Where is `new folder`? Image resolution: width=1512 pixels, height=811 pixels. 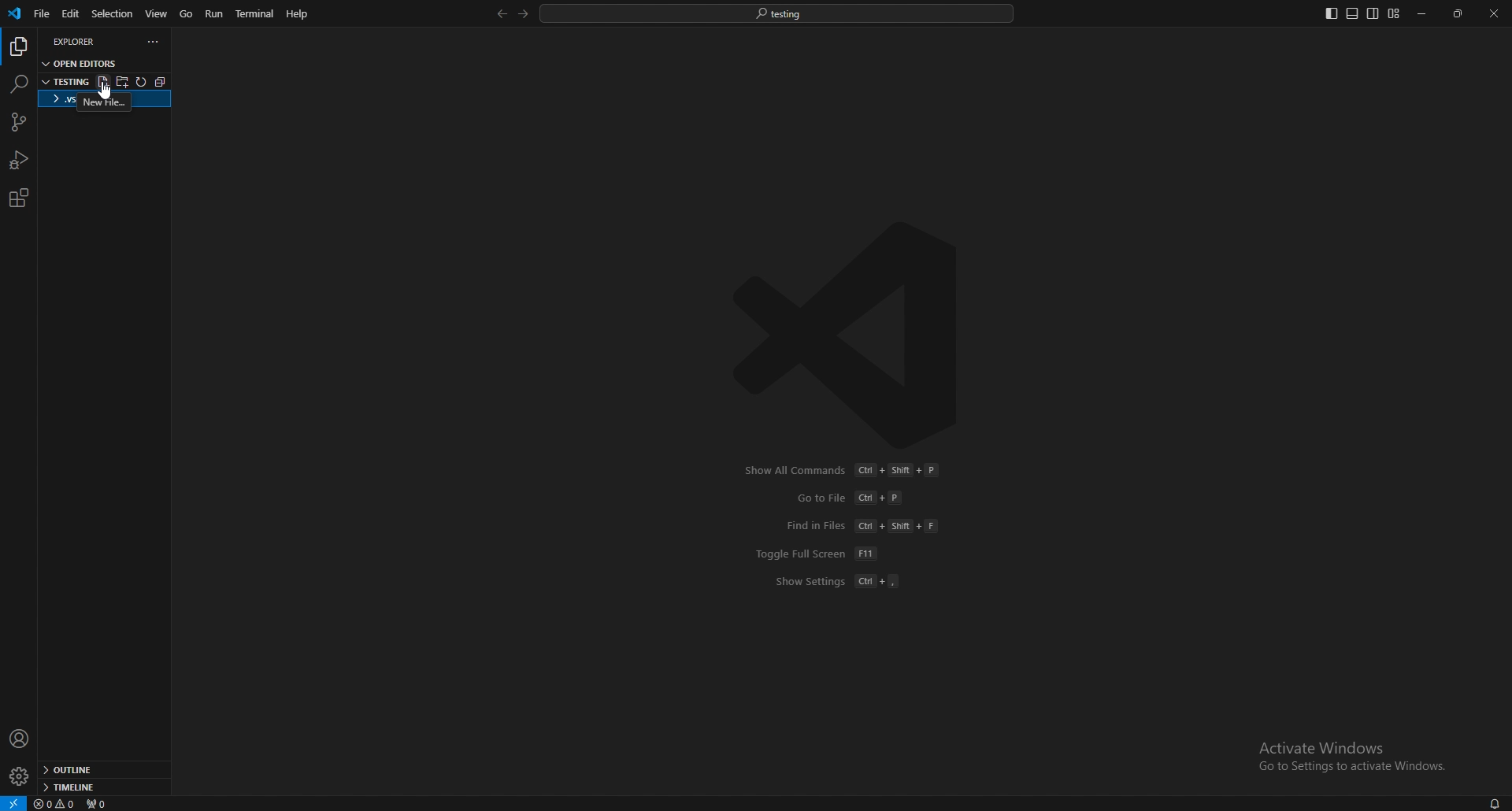
new folder is located at coordinates (123, 81).